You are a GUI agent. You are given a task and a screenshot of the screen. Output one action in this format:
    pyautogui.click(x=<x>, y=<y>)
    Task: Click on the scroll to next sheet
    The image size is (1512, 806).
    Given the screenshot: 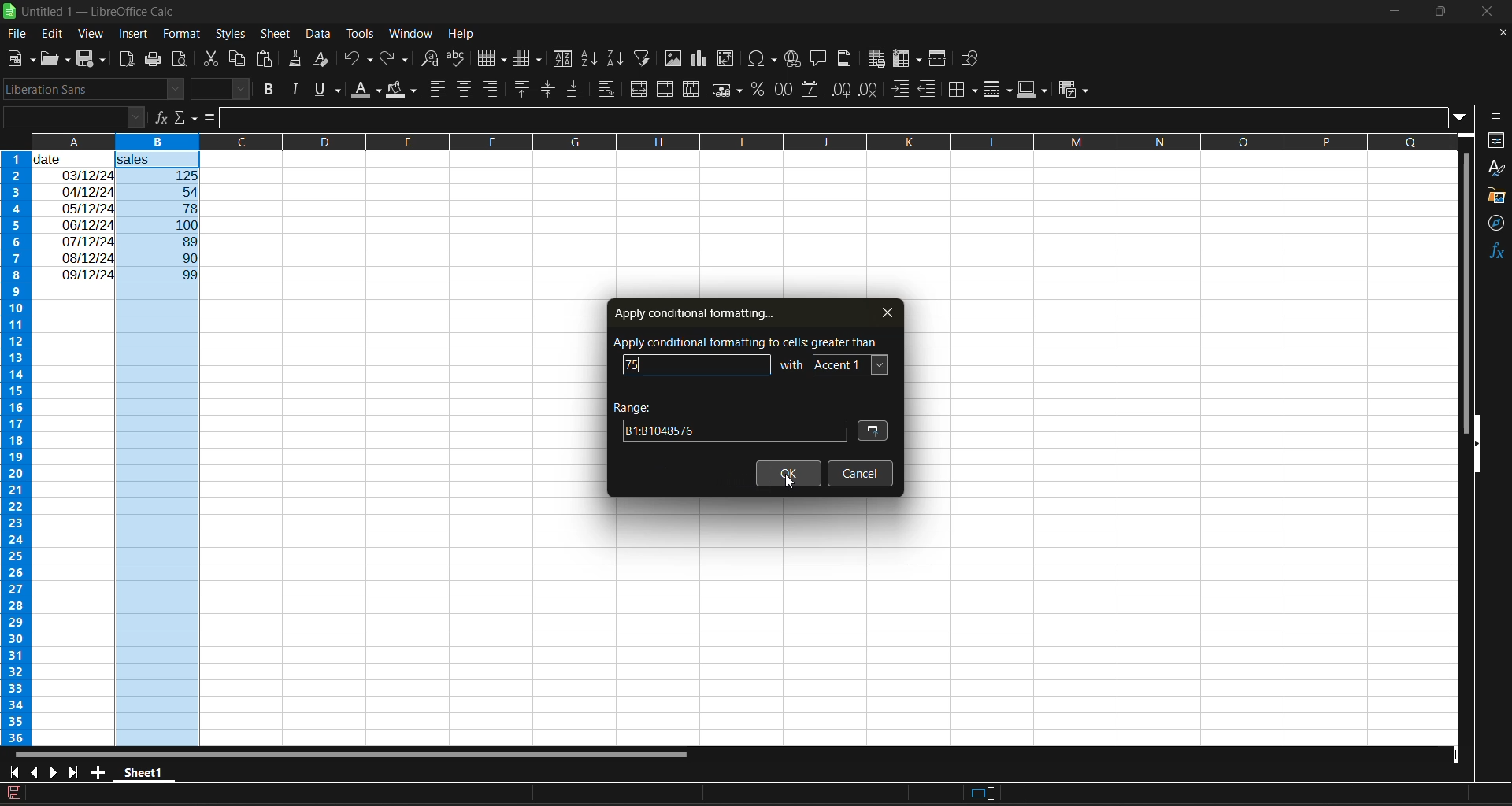 What is the action you would take?
    pyautogui.click(x=54, y=771)
    